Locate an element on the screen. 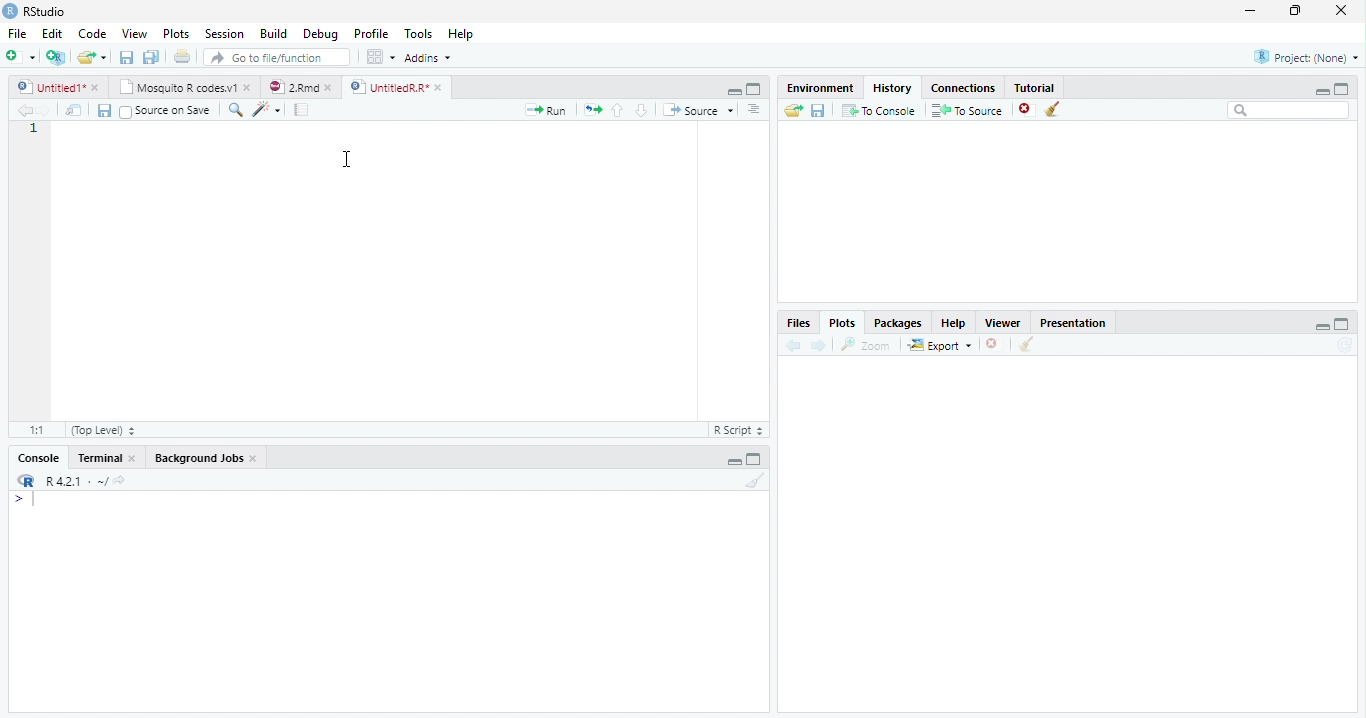 The height and width of the screenshot is (718, 1366). To Console is located at coordinates (880, 111).